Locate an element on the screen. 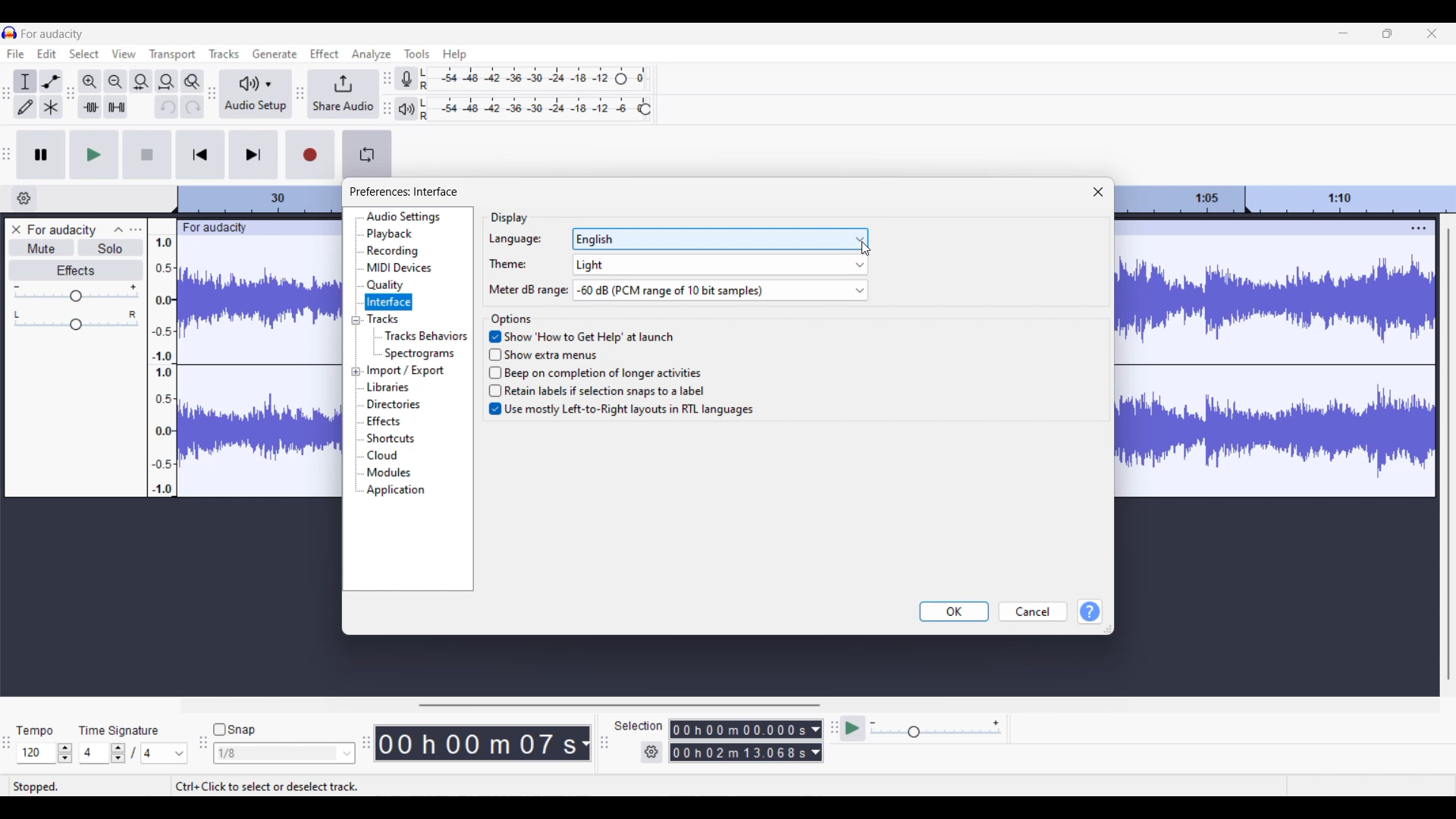 The image size is (1456, 819). Tracks behaviors is located at coordinates (425, 335).